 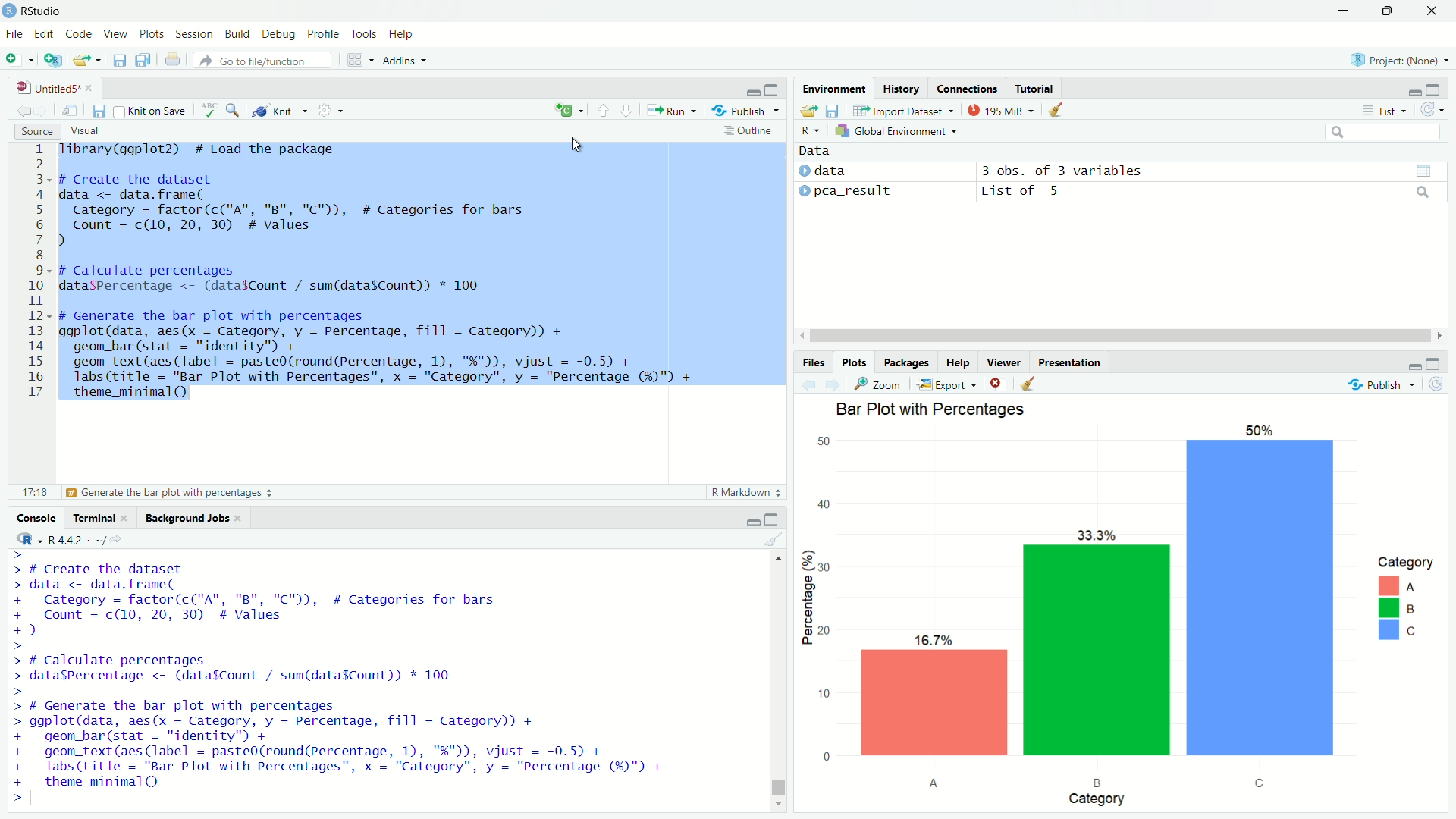 I want to click on visual, so click(x=89, y=130).